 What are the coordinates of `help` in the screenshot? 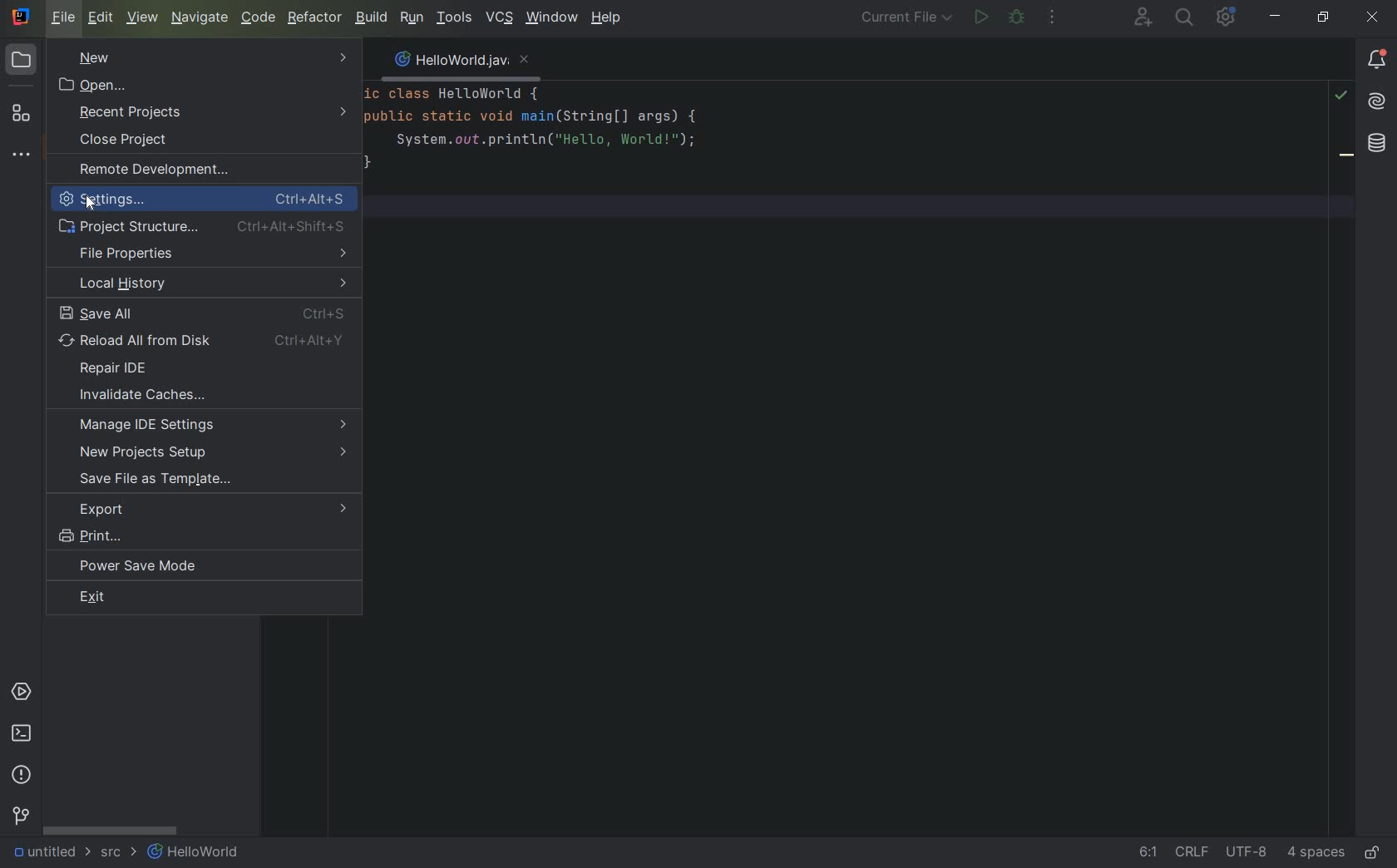 It's located at (608, 20).